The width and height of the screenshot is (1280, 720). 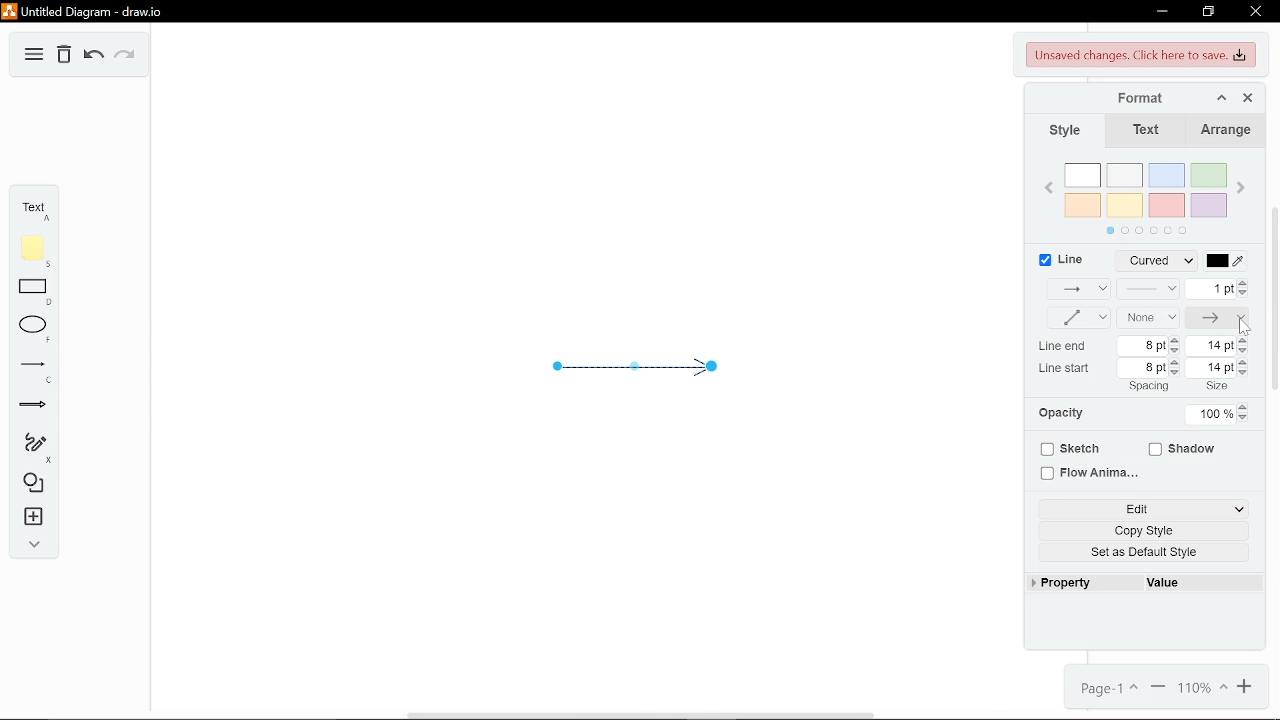 What do you see at coordinates (1212, 289) in the screenshot?
I see `Linewidth` at bounding box center [1212, 289].